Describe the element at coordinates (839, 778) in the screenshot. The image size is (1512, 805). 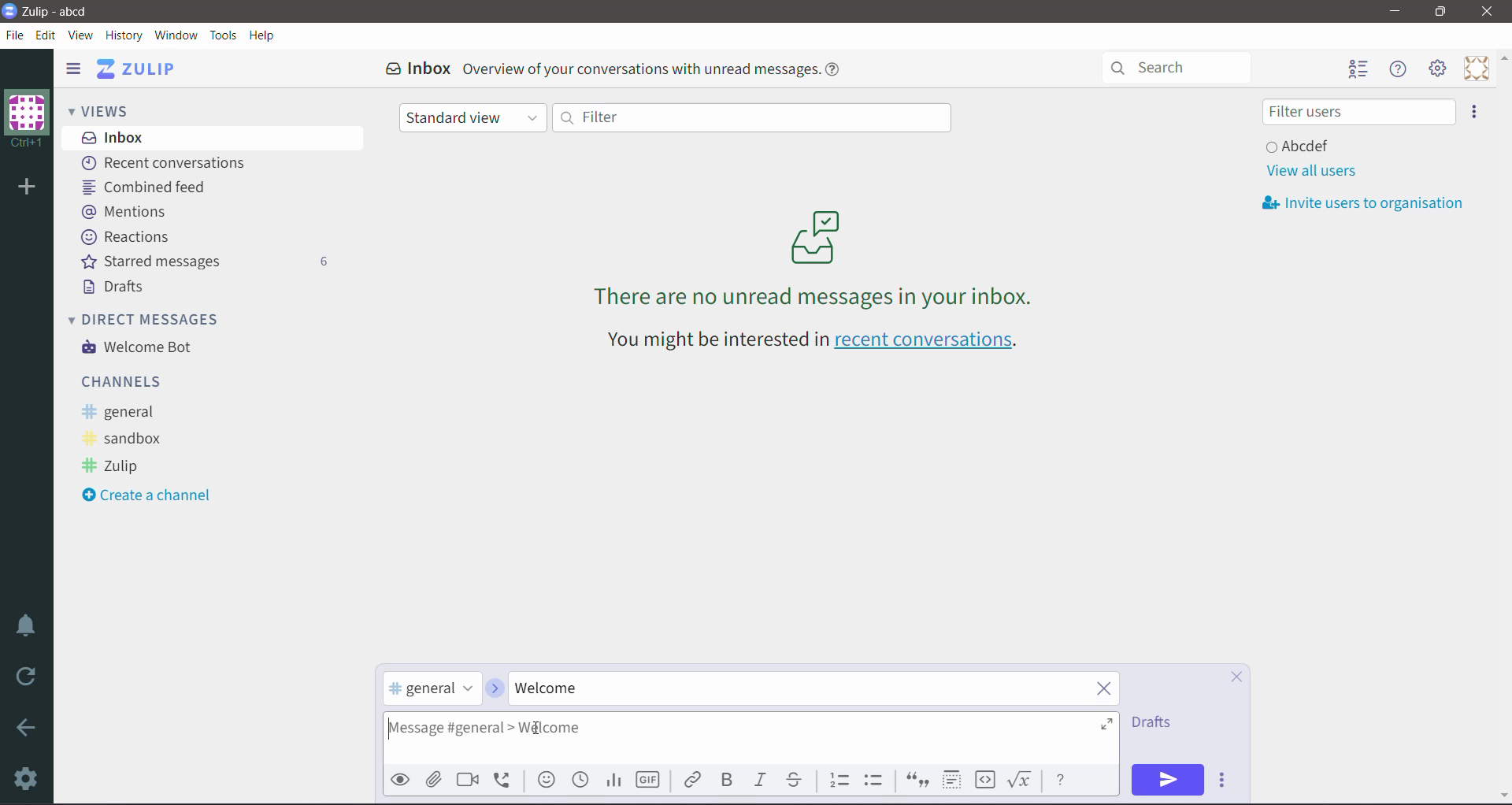
I see `Numbered list` at that location.